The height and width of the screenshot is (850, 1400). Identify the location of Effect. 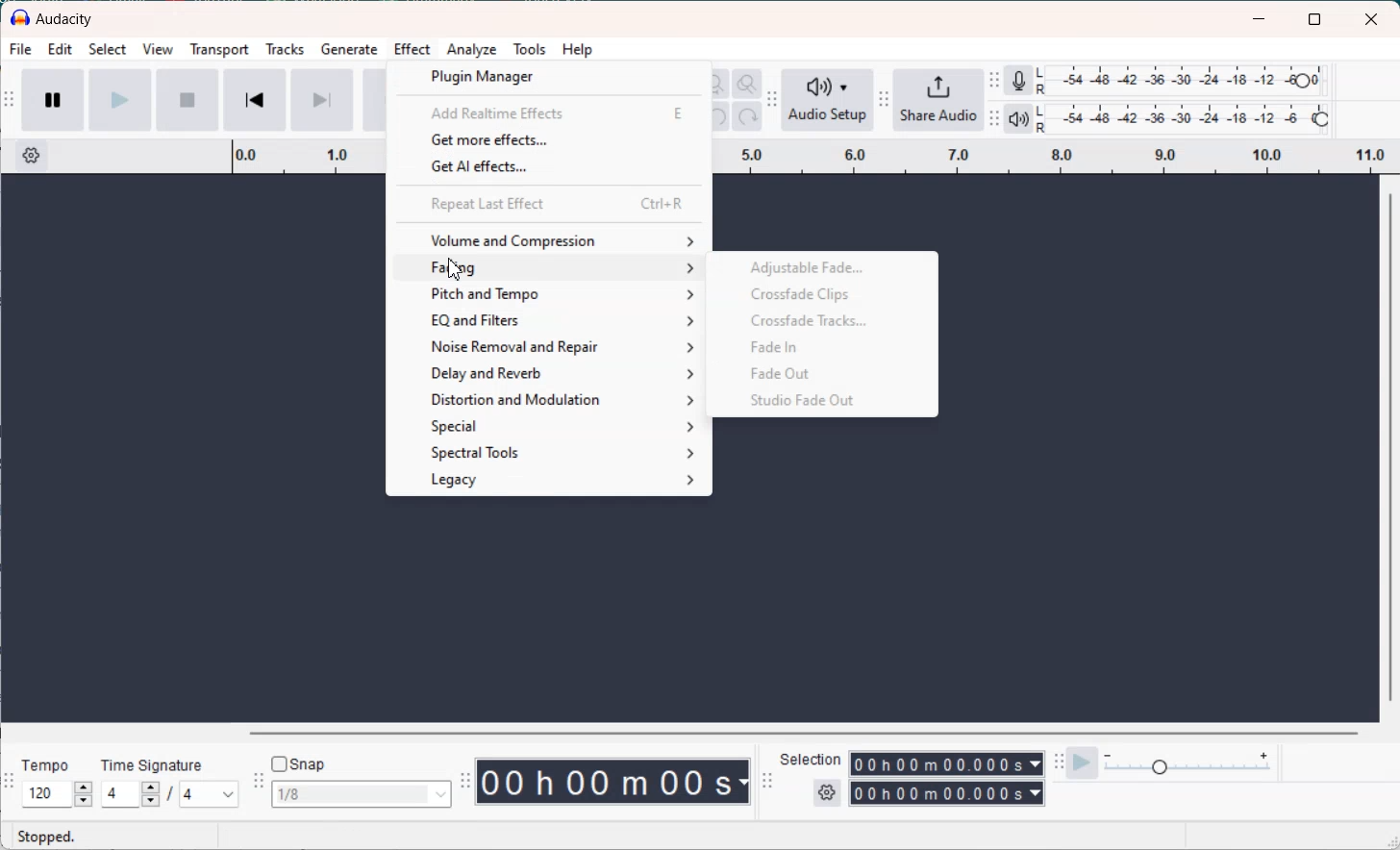
(412, 51).